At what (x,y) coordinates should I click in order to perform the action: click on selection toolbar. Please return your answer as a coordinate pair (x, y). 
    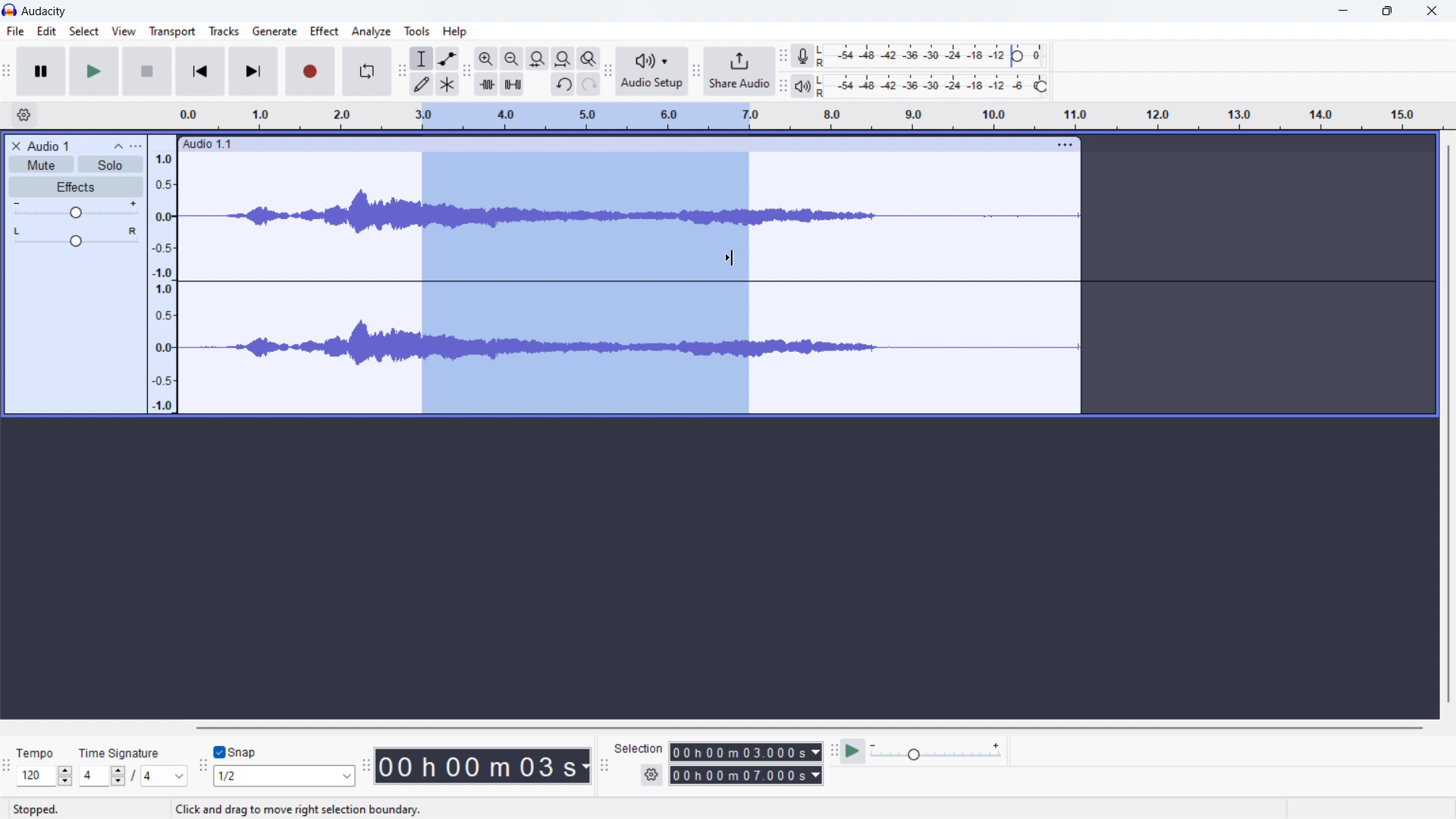
    Looking at the image, I should click on (604, 766).